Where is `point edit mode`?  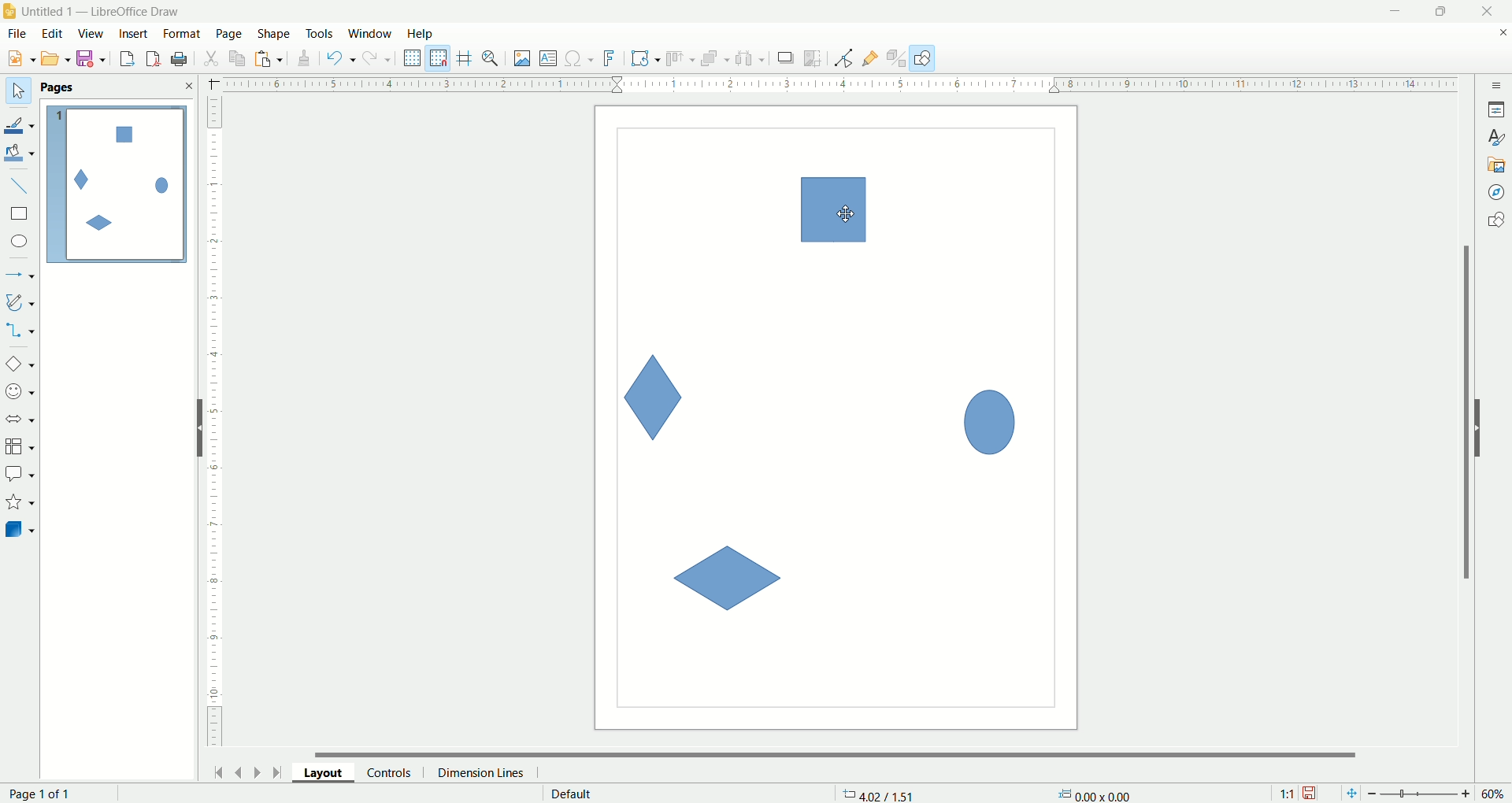
point edit mode is located at coordinates (843, 59).